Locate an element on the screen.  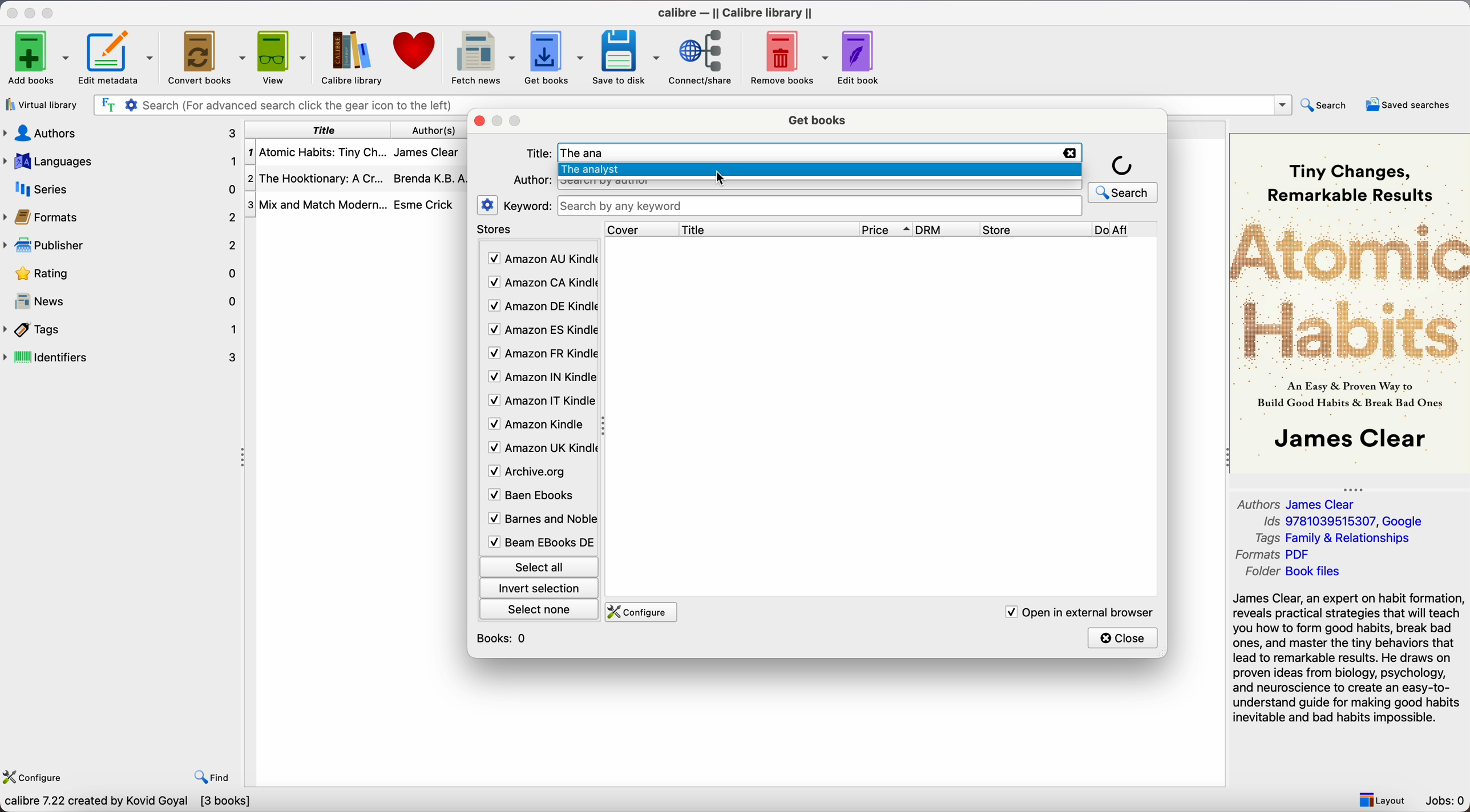
Barnes and Noble is located at coordinates (538, 521).